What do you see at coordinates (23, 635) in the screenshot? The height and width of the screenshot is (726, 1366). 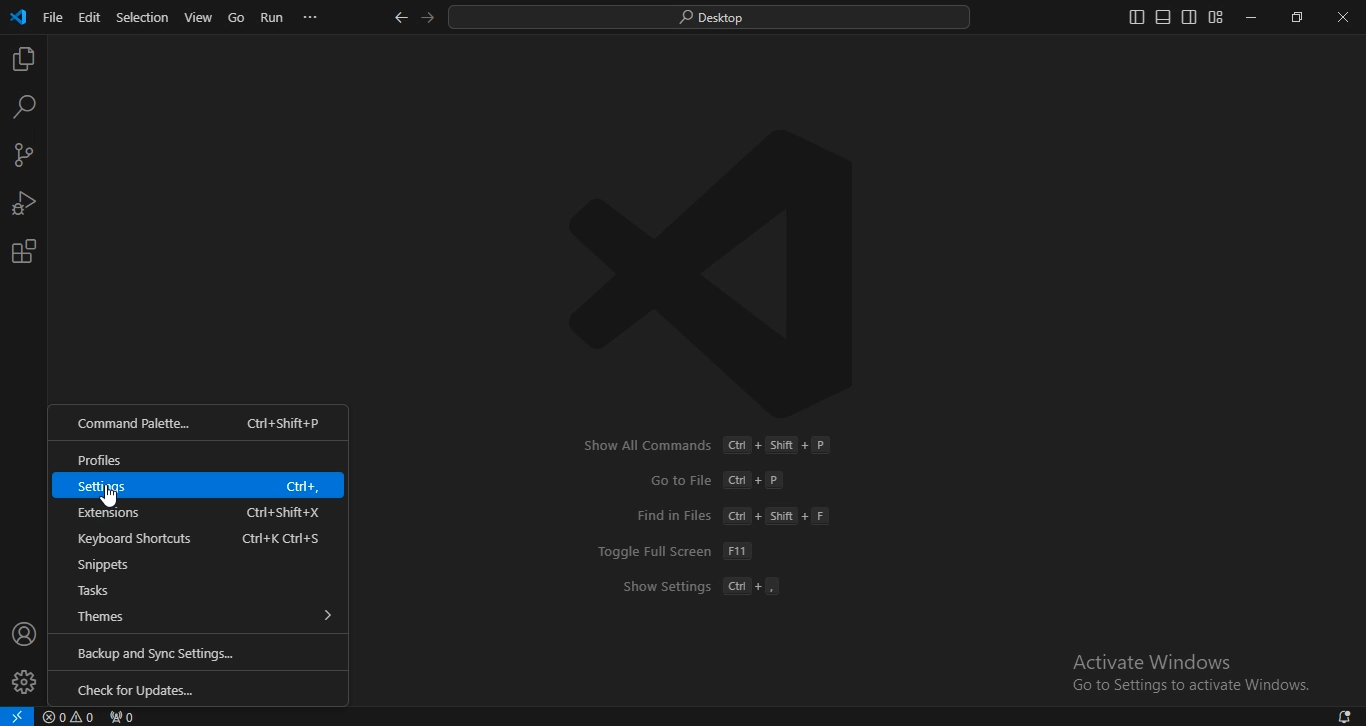 I see `account` at bounding box center [23, 635].